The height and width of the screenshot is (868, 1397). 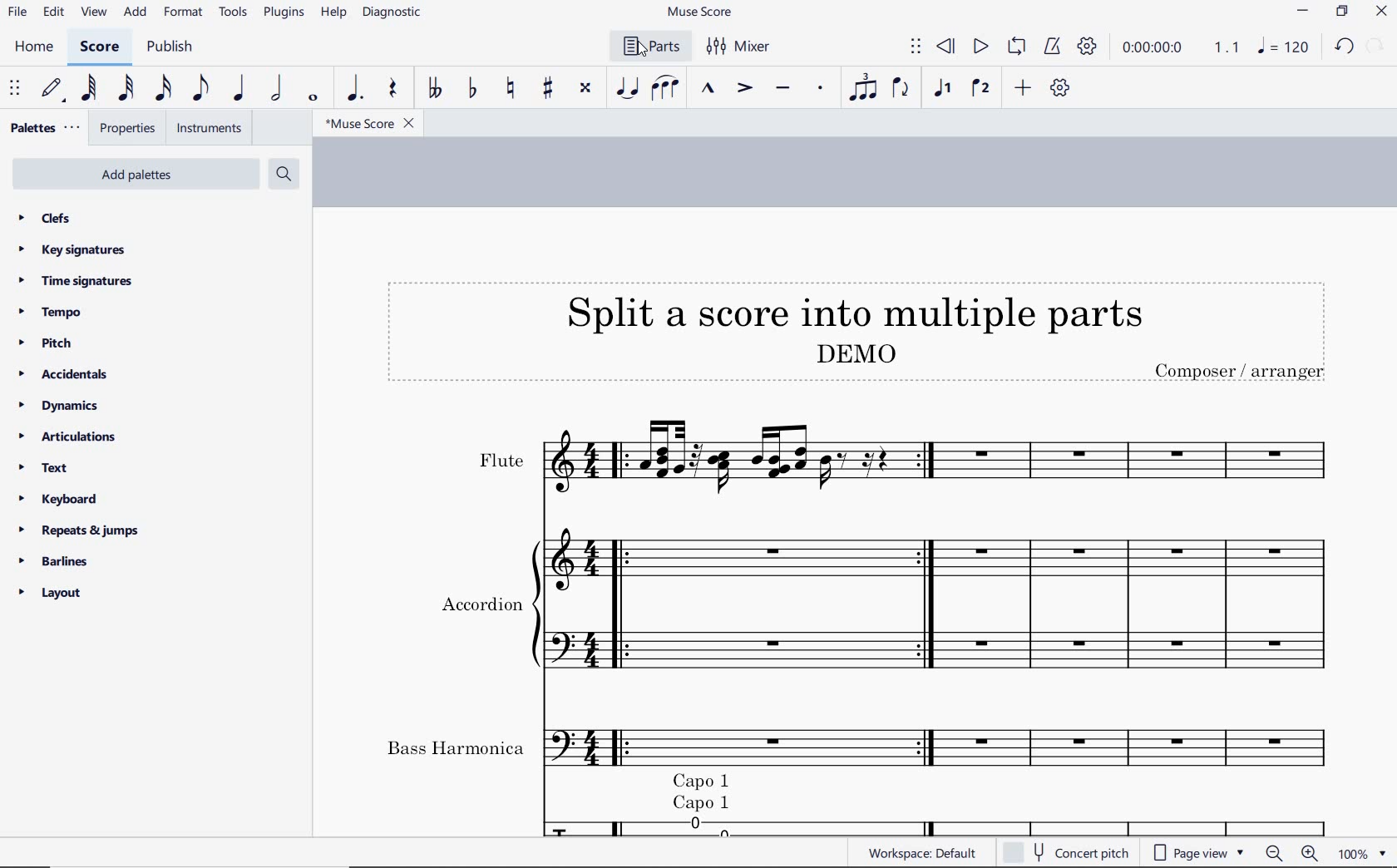 What do you see at coordinates (1365, 855) in the screenshot?
I see `zoom factor` at bounding box center [1365, 855].